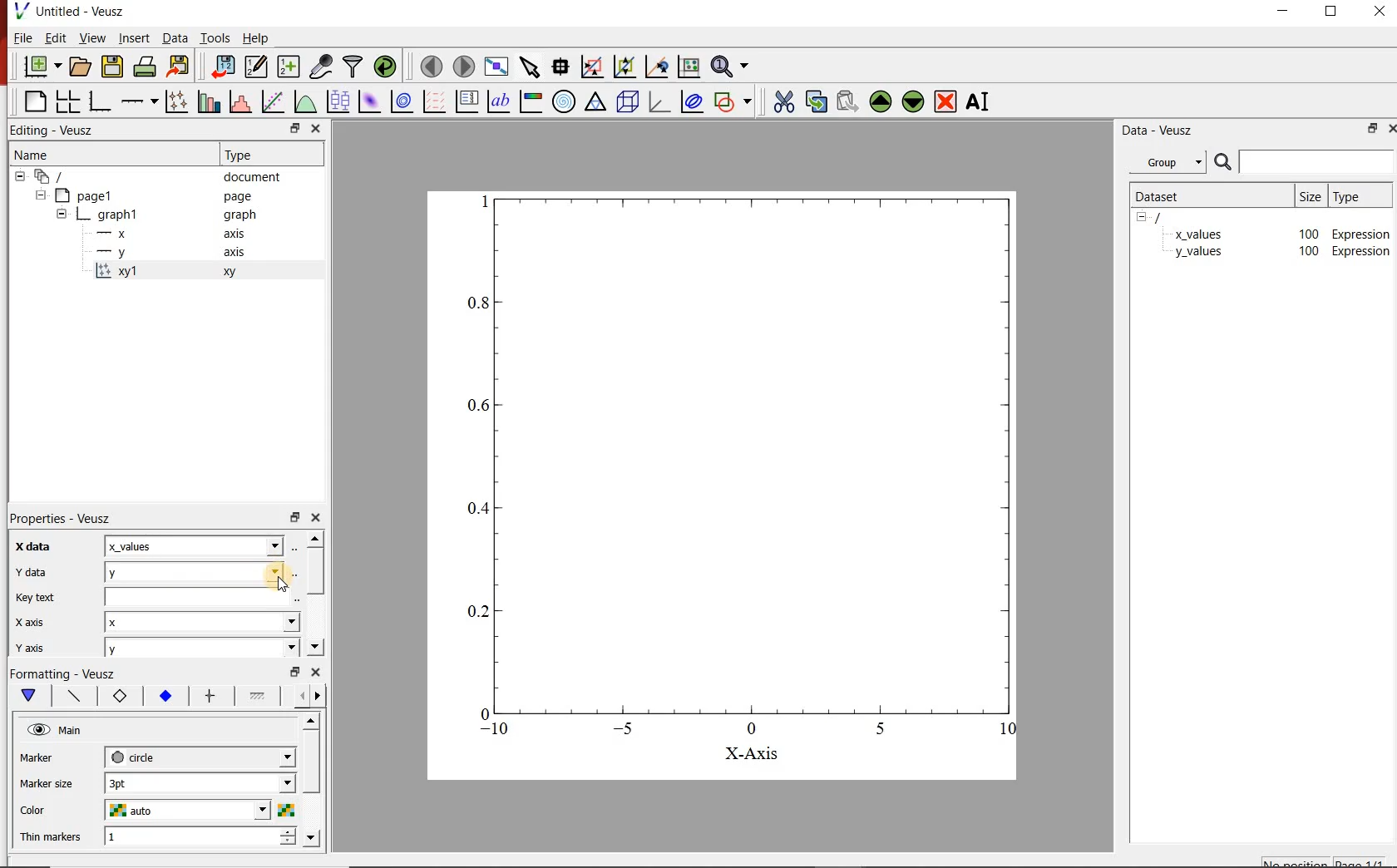 The height and width of the screenshot is (868, 1397). I want to click on plot key, so click(468, 101).